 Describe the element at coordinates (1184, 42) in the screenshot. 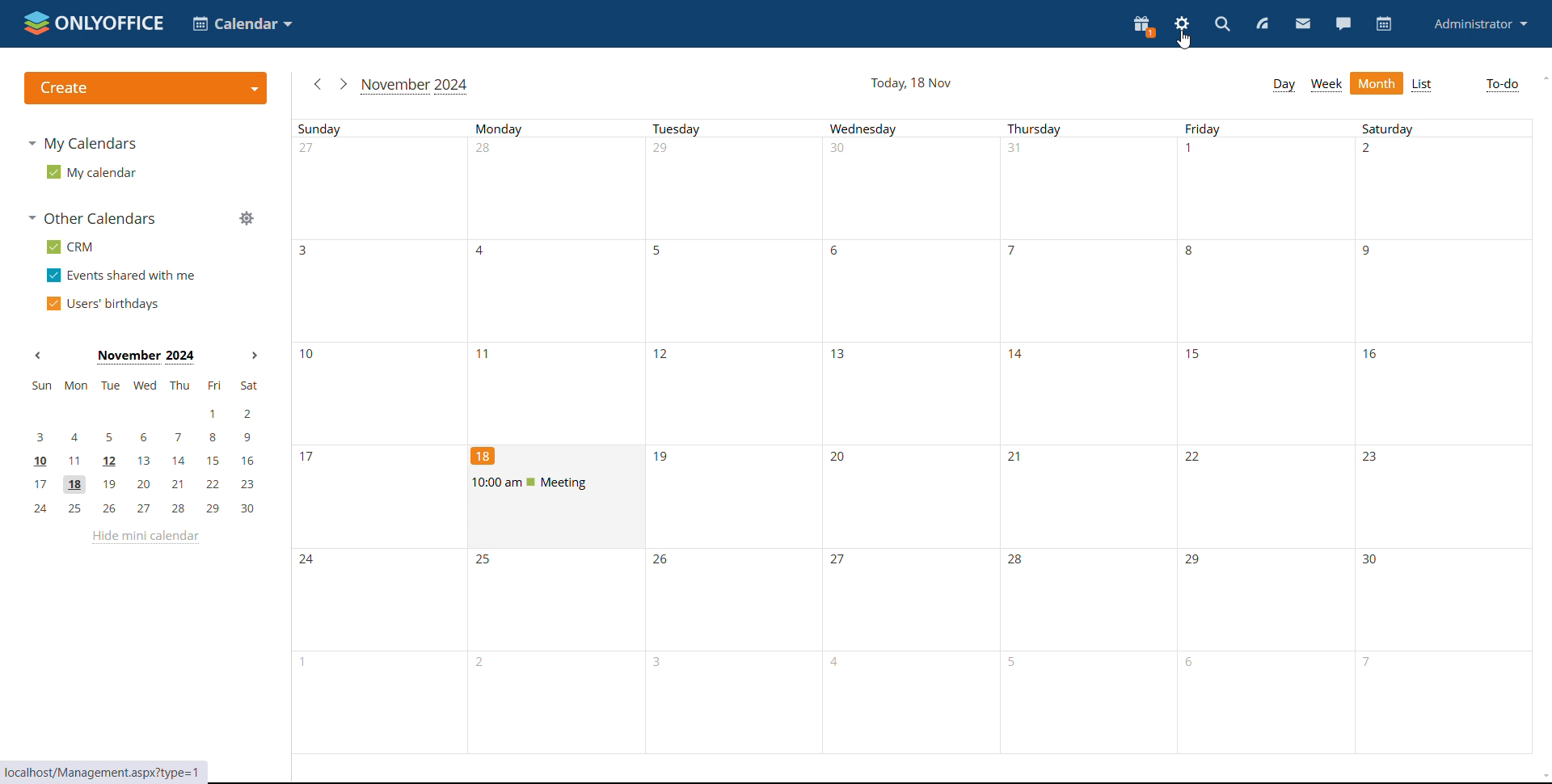

I see `cursor` at that location.